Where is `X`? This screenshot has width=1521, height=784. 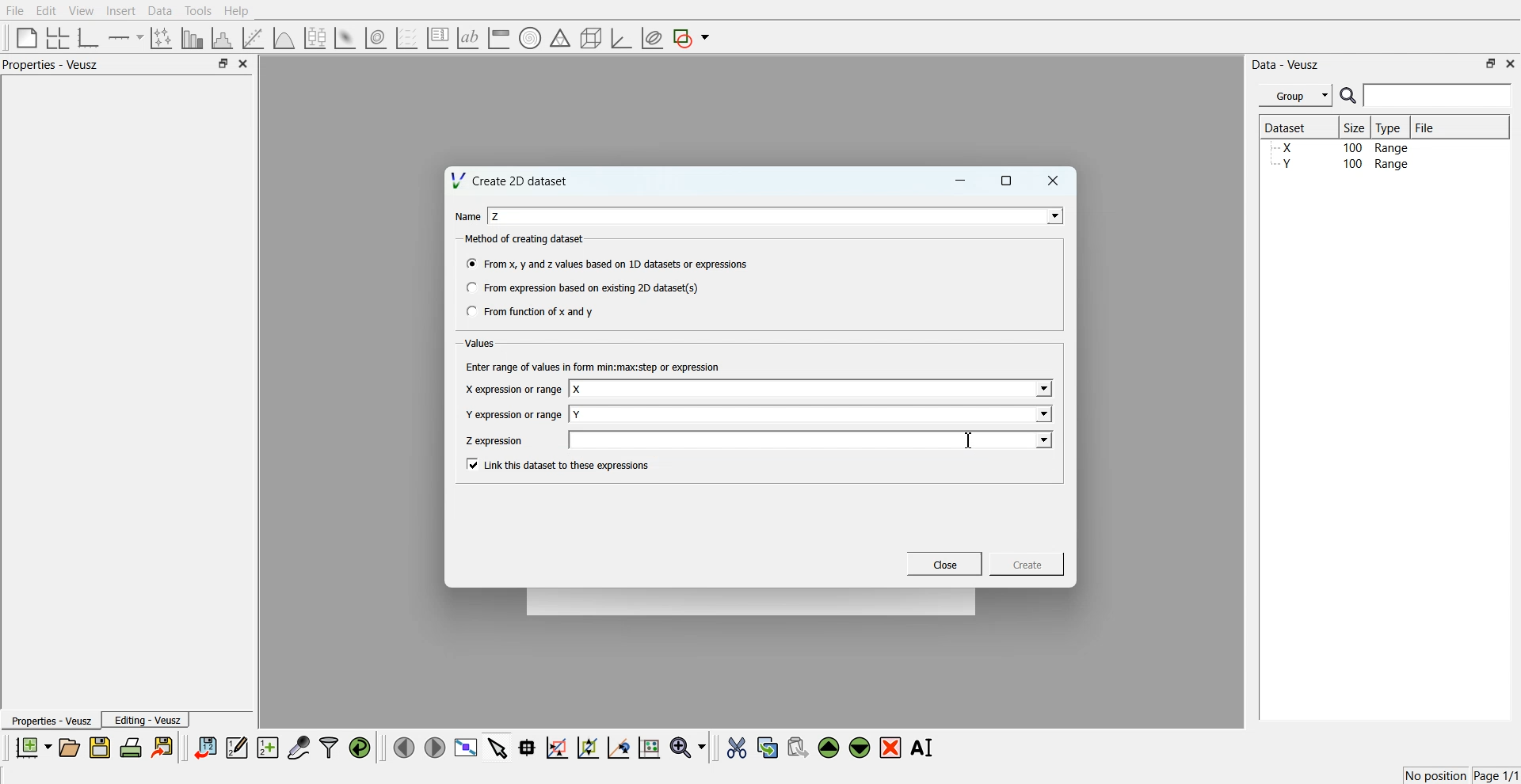 X is located at coordinates (578, 390).